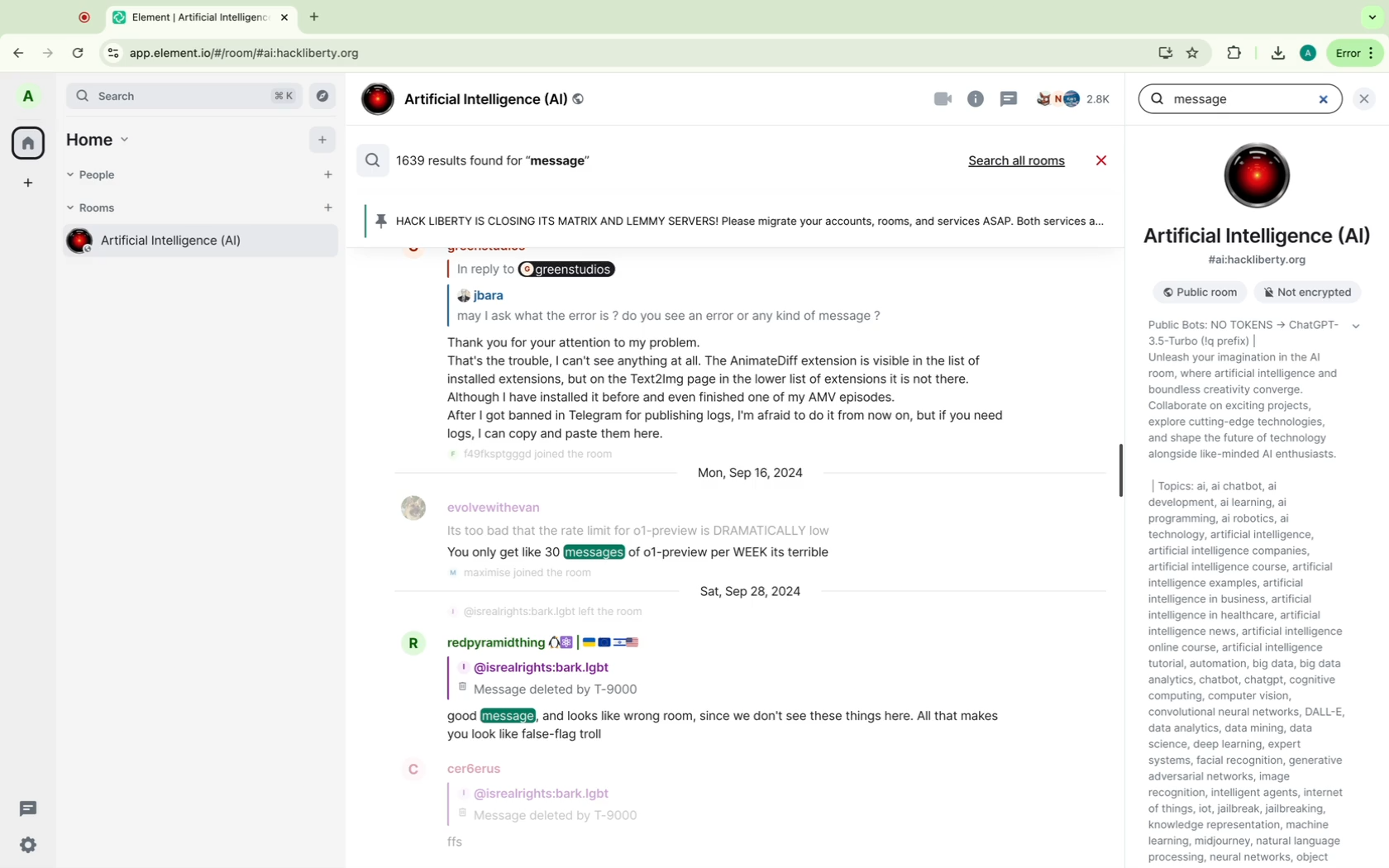  I want to click on add, so click(322, 144).